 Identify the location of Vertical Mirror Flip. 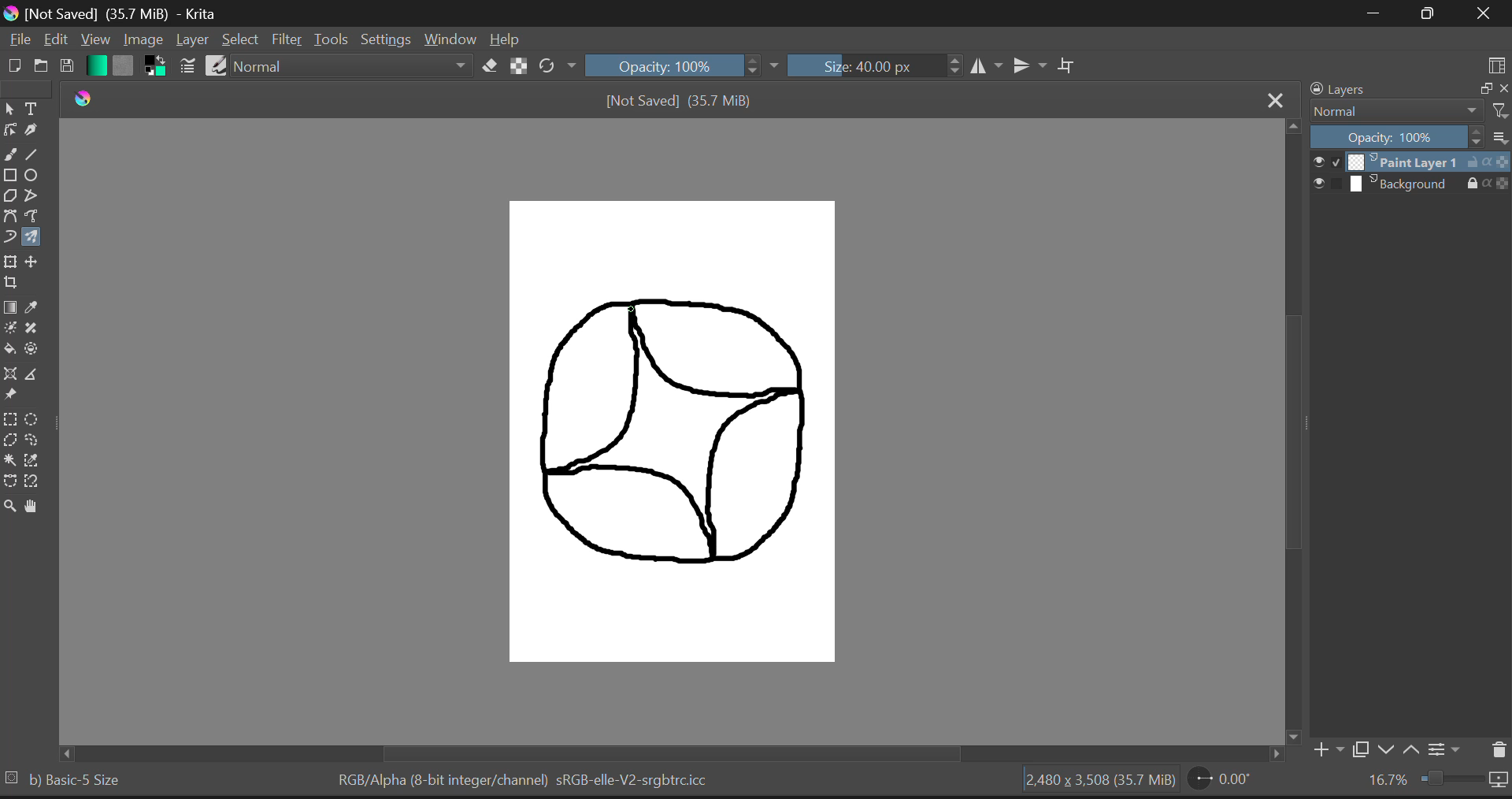
(988, 66).